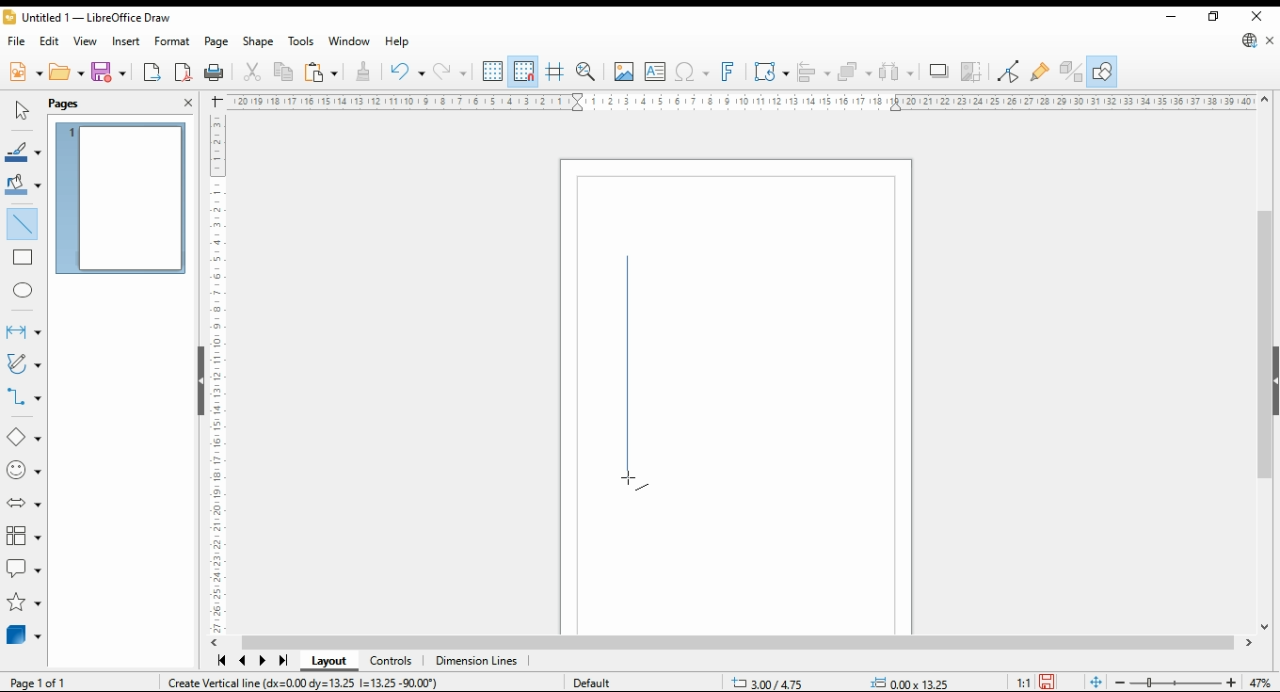  What do you see at coordinates (899, 72) in the screenshot?
I see `select at least three objects to distribute` at bounding box center [899, 72].